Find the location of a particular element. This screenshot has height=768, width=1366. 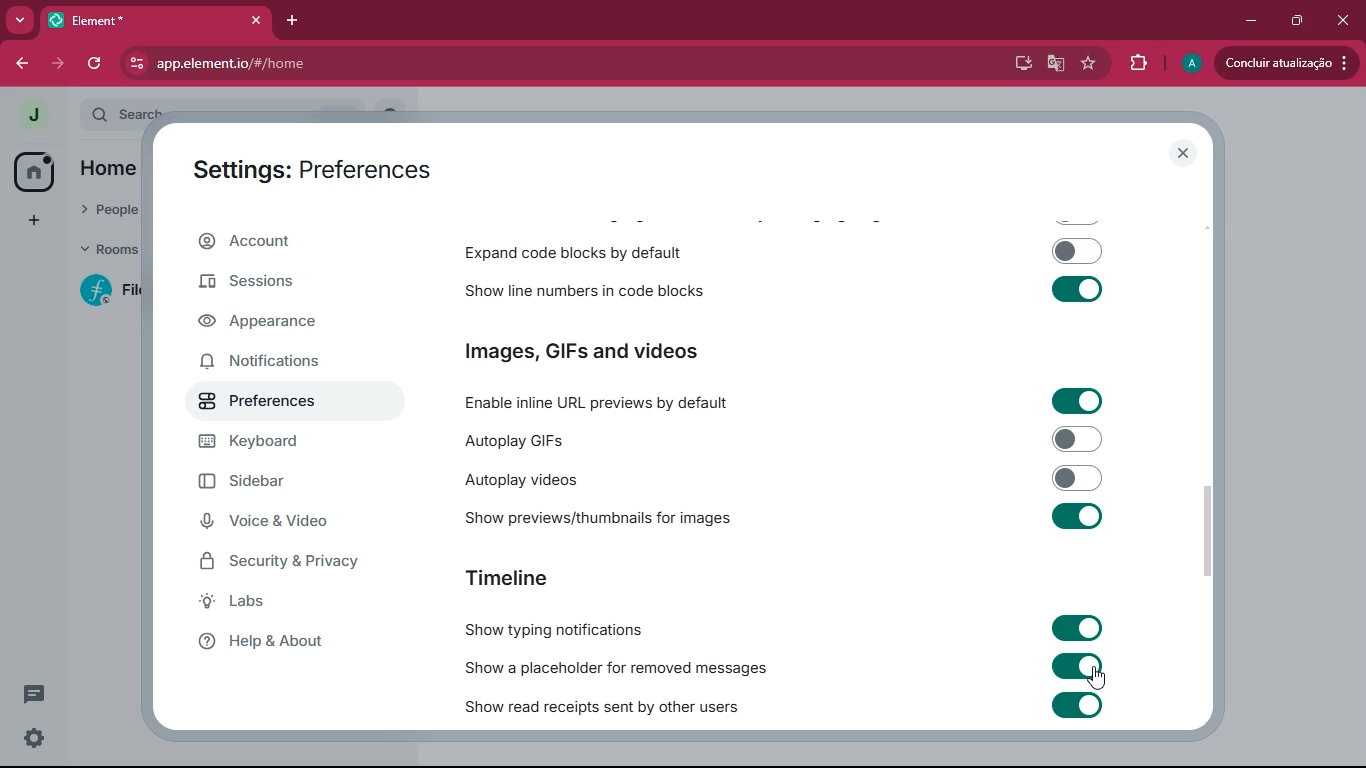

maximize is located at coordinates (1299, 19).